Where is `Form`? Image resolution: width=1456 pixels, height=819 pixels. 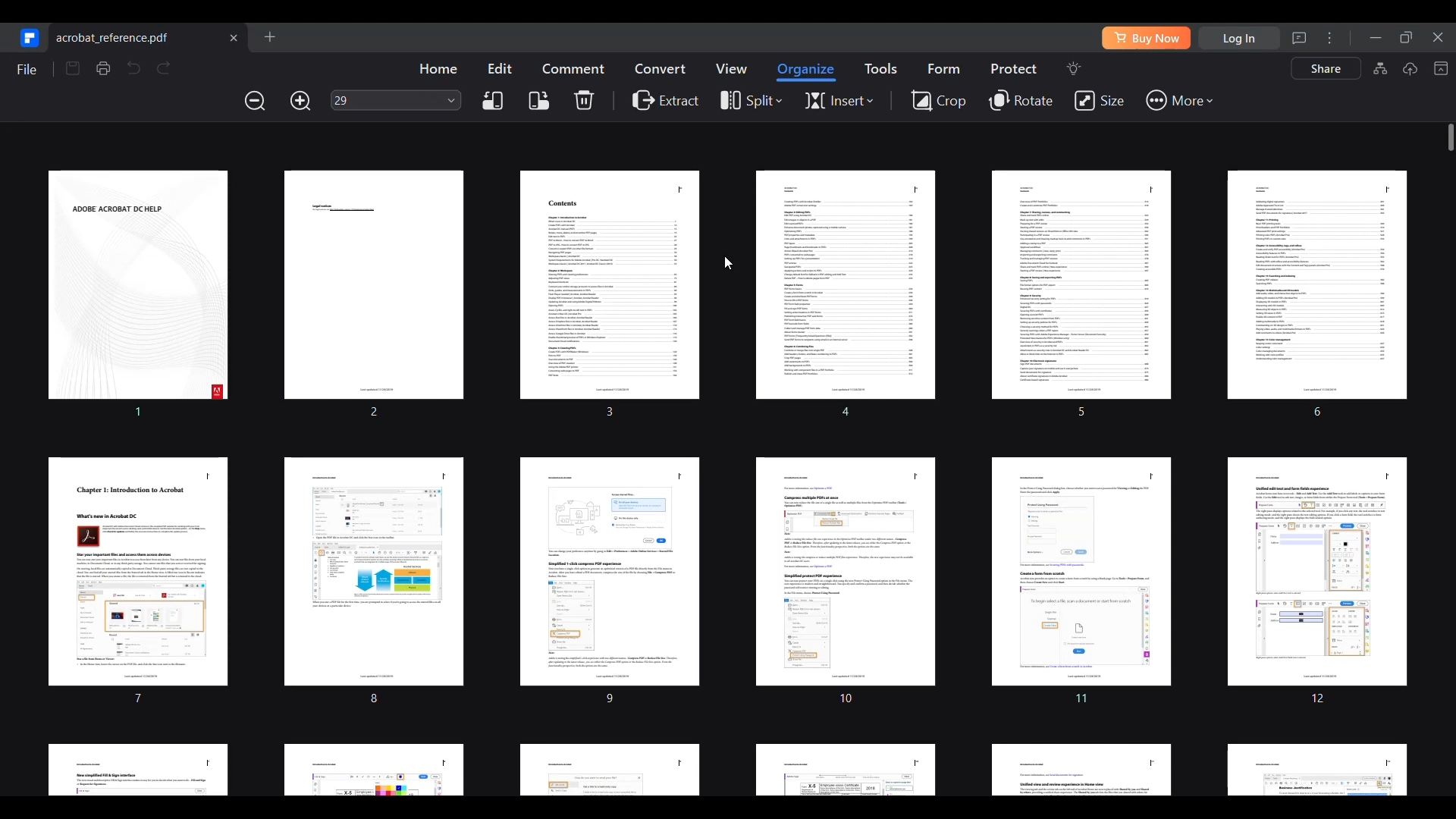
Form is located at coordinates (943, 68).